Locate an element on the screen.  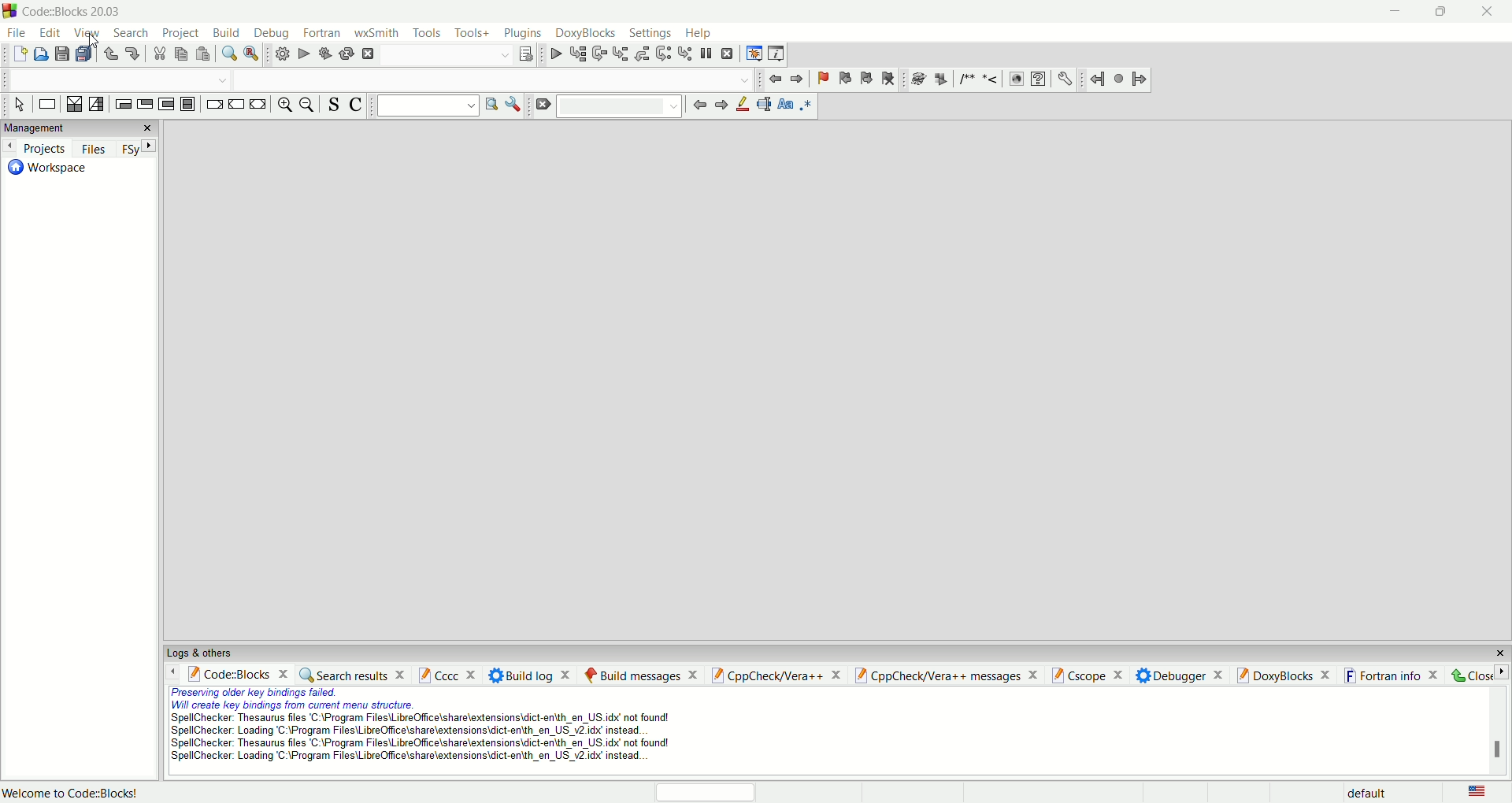
settings is located at coordinates (1064, 78).